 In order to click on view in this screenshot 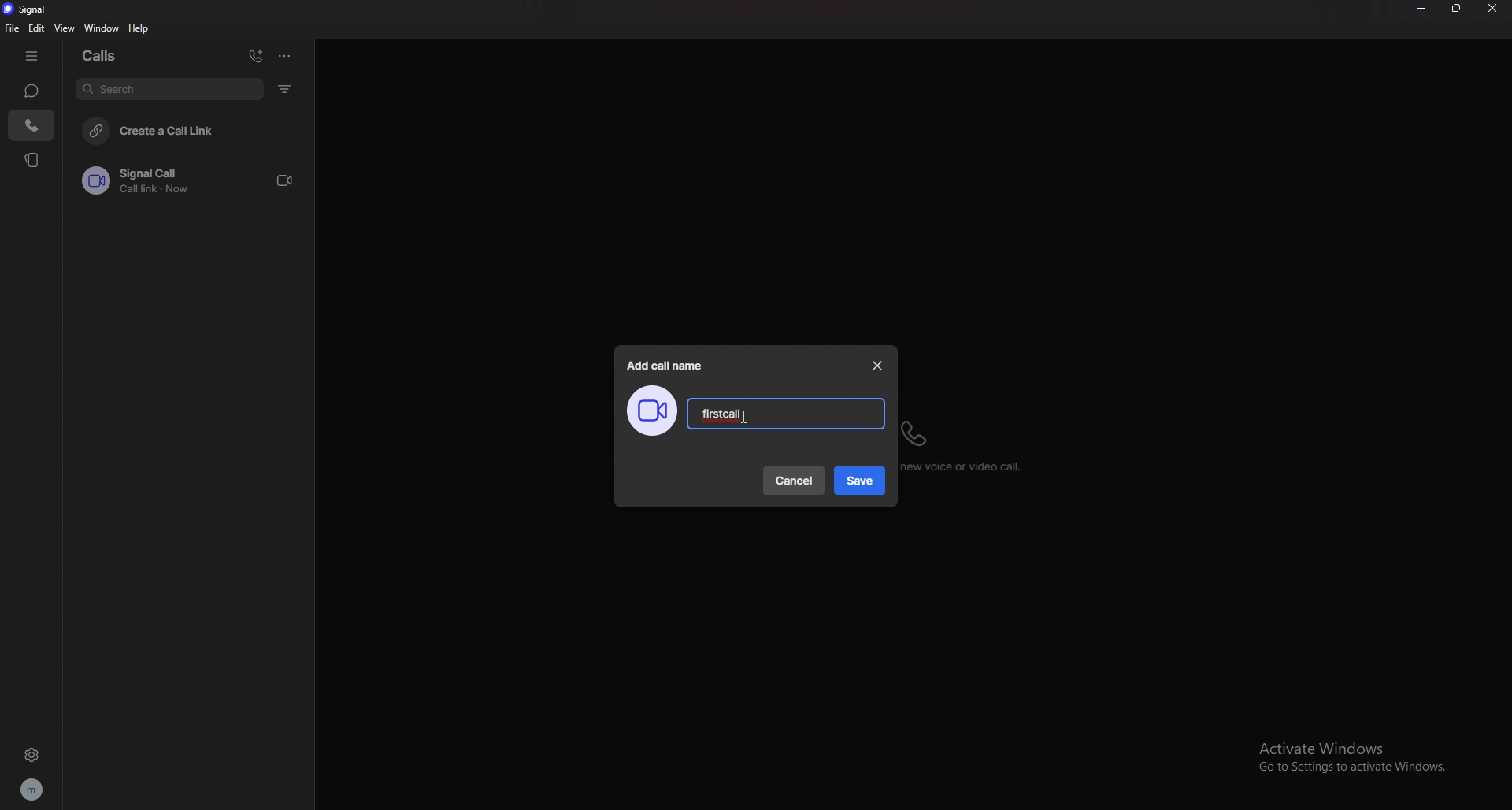, I will do `click(65, 28)`.